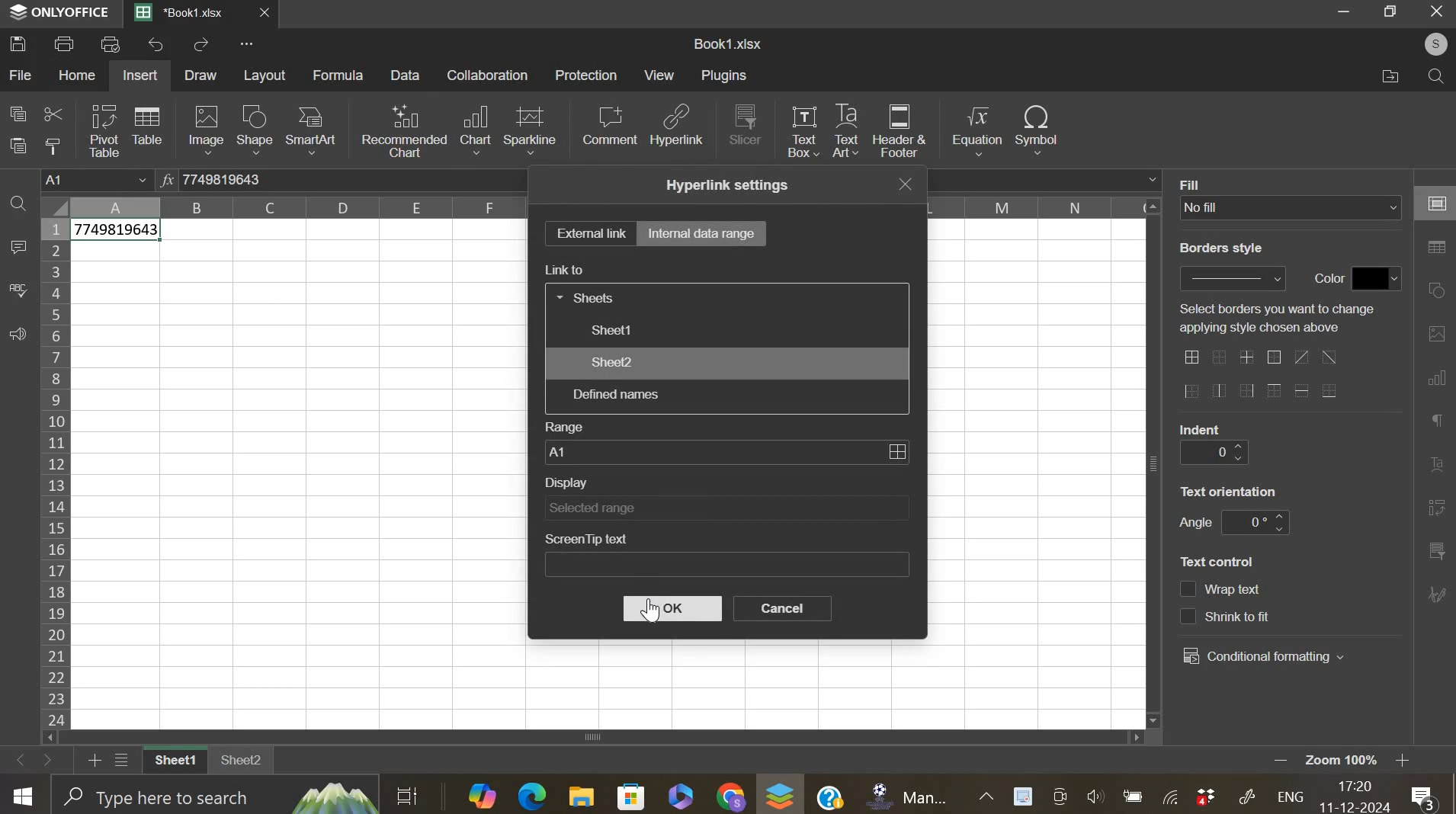 The height and width of the screenshot is (814, 1456). What do you see at coordinates (158, 44) in the screenshot?
I see `undo` at bounding box center [158, 44].